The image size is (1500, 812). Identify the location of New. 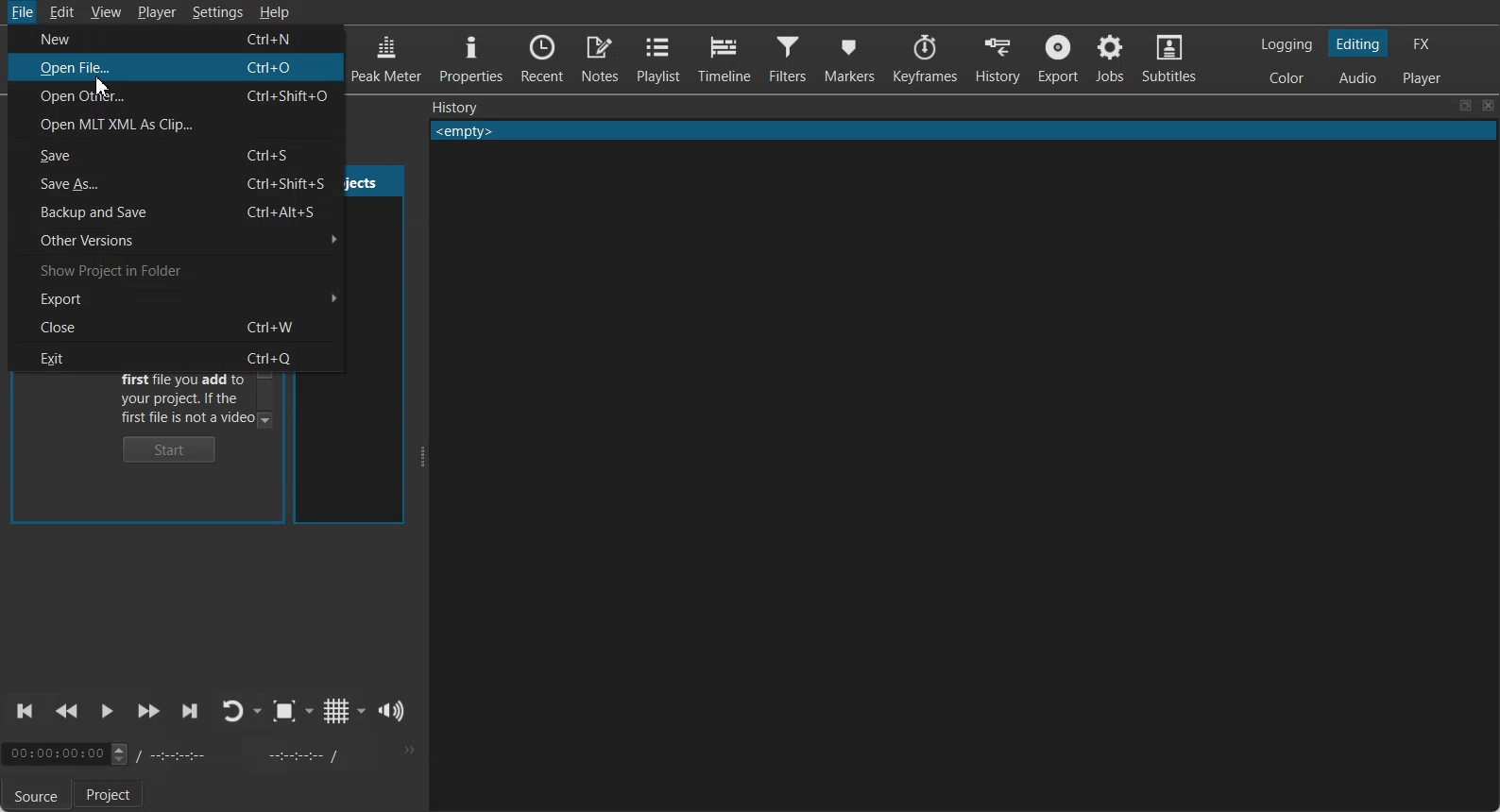
(102, 38).